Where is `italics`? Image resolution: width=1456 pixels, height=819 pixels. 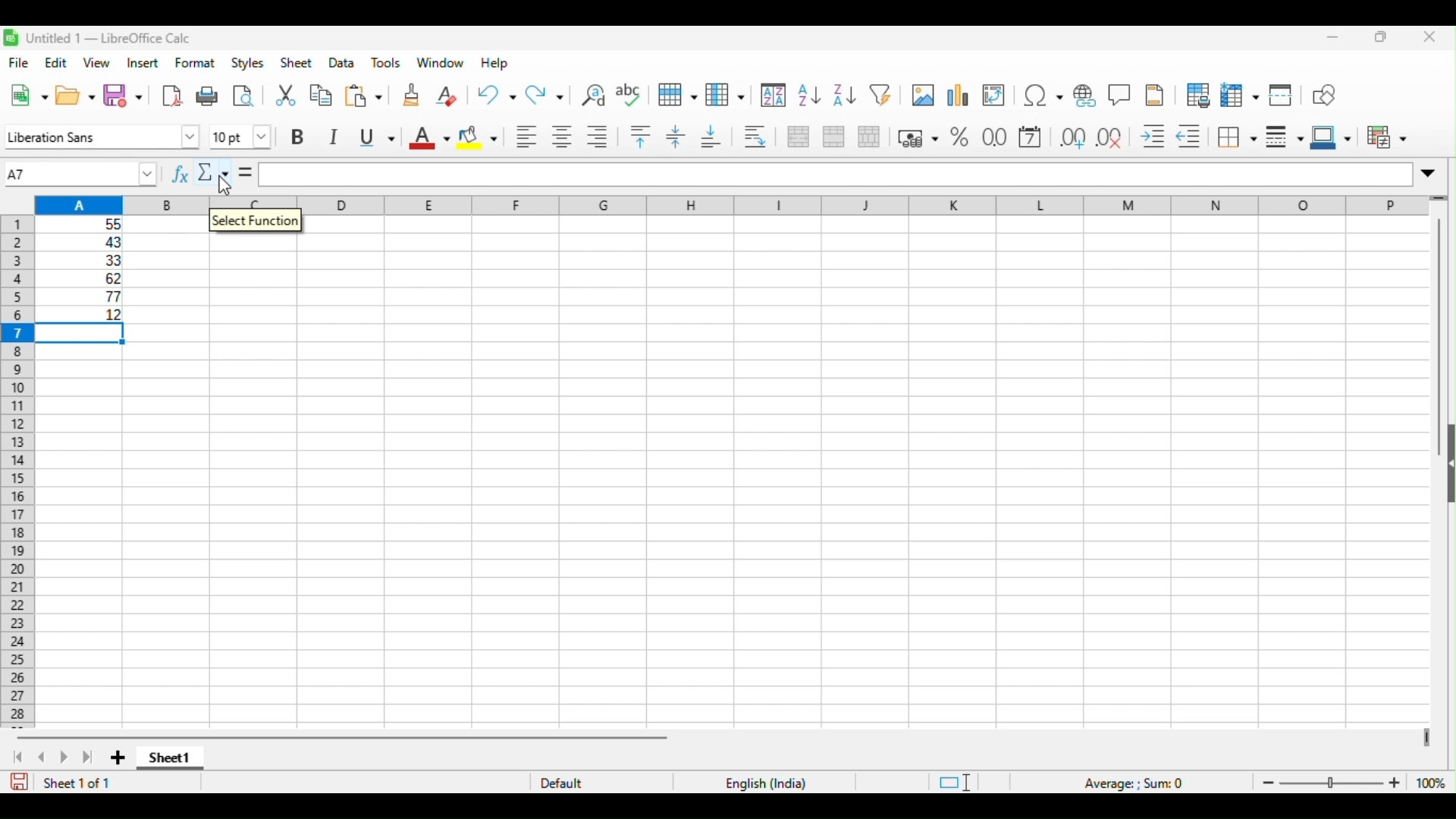
italics is located at coordinates (337, 139).